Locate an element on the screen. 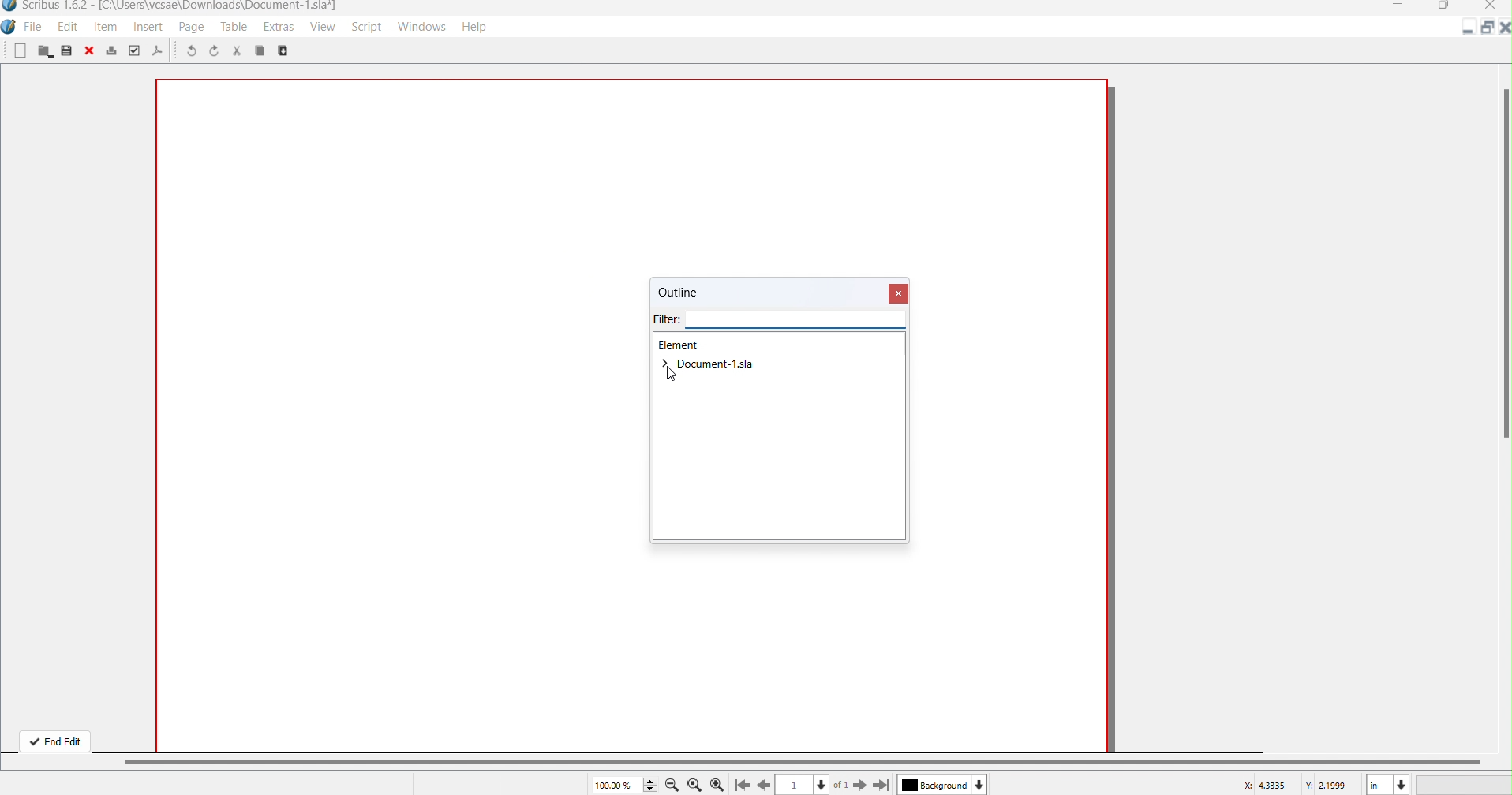  cursor is located at coordinates (676, 377).